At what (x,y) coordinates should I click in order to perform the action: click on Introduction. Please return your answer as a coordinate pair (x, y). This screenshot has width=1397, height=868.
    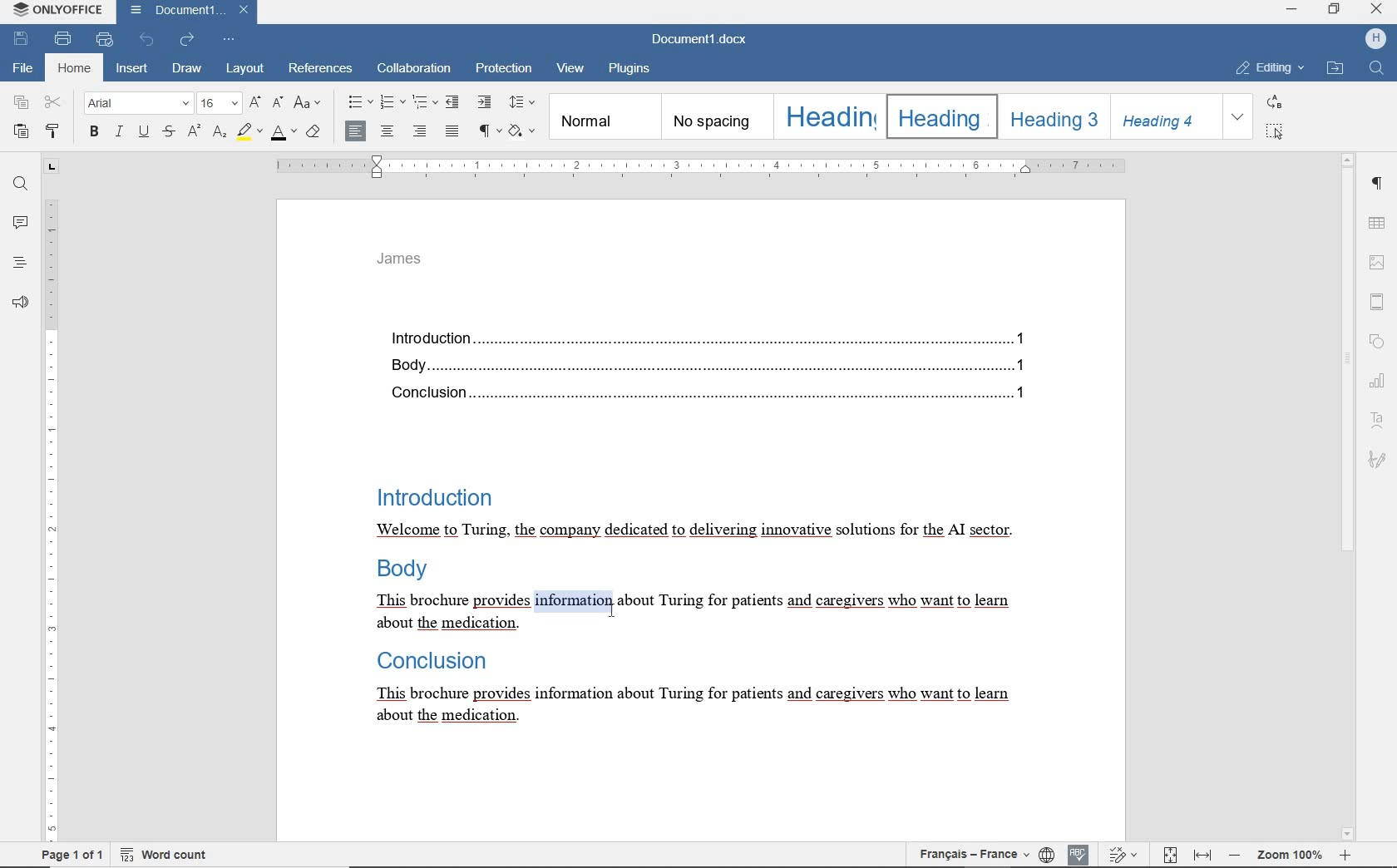
    Looking at the image, I should click on (432, 495).